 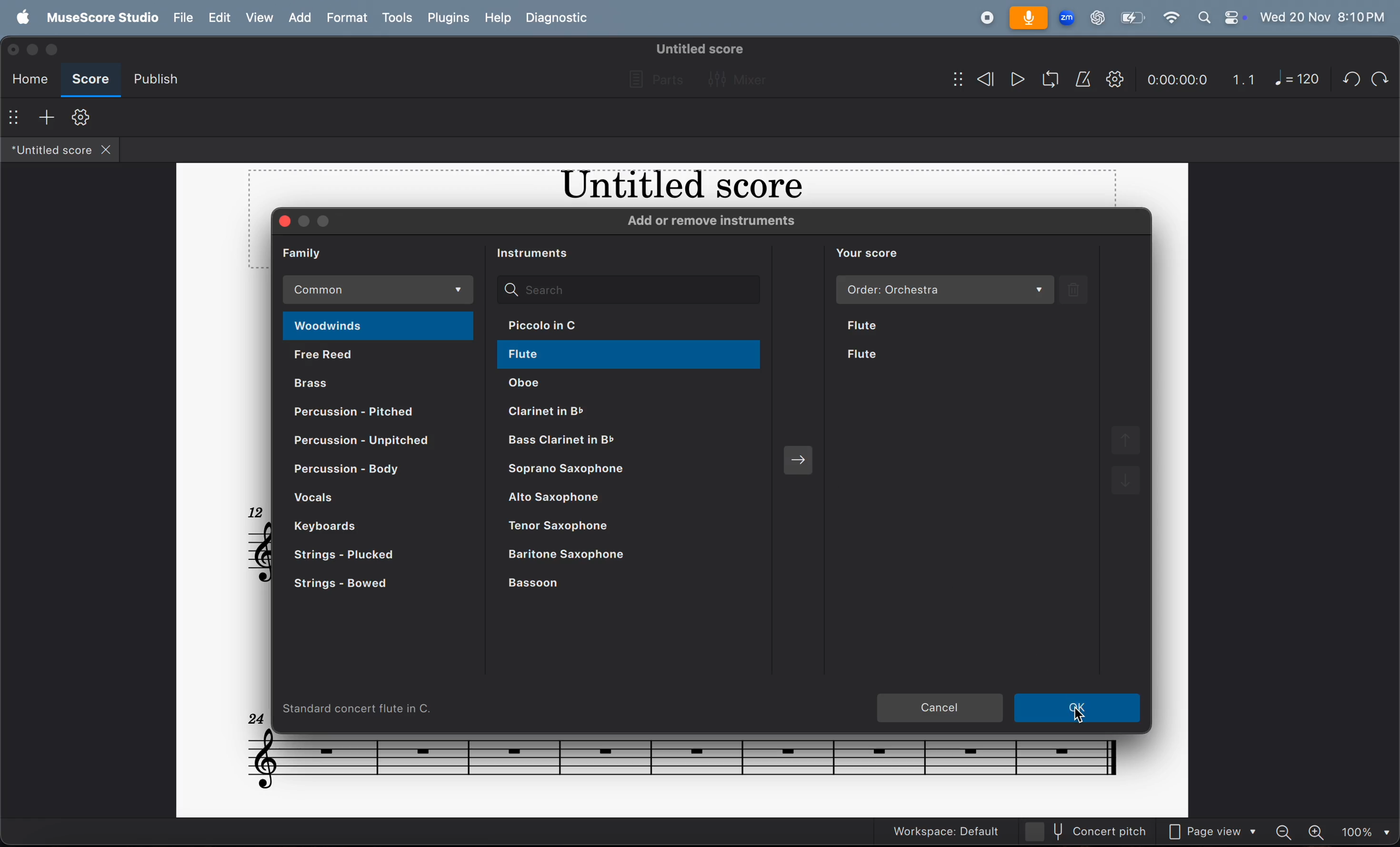 I want to click on ok, so click(x=1084, y=709).